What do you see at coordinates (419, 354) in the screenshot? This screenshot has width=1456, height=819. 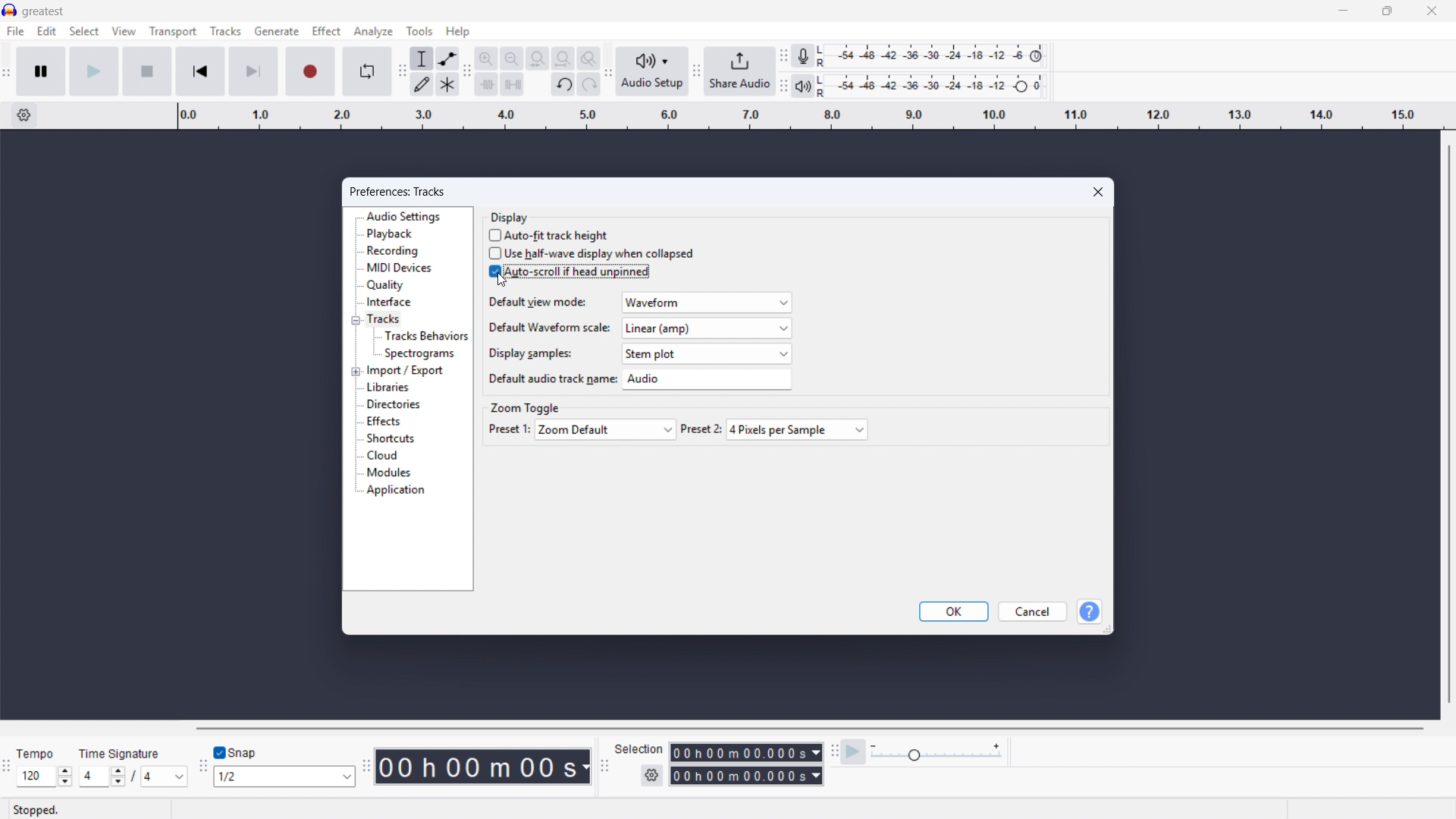 I see `Spectrograms ` at bounding box center [419, 354].